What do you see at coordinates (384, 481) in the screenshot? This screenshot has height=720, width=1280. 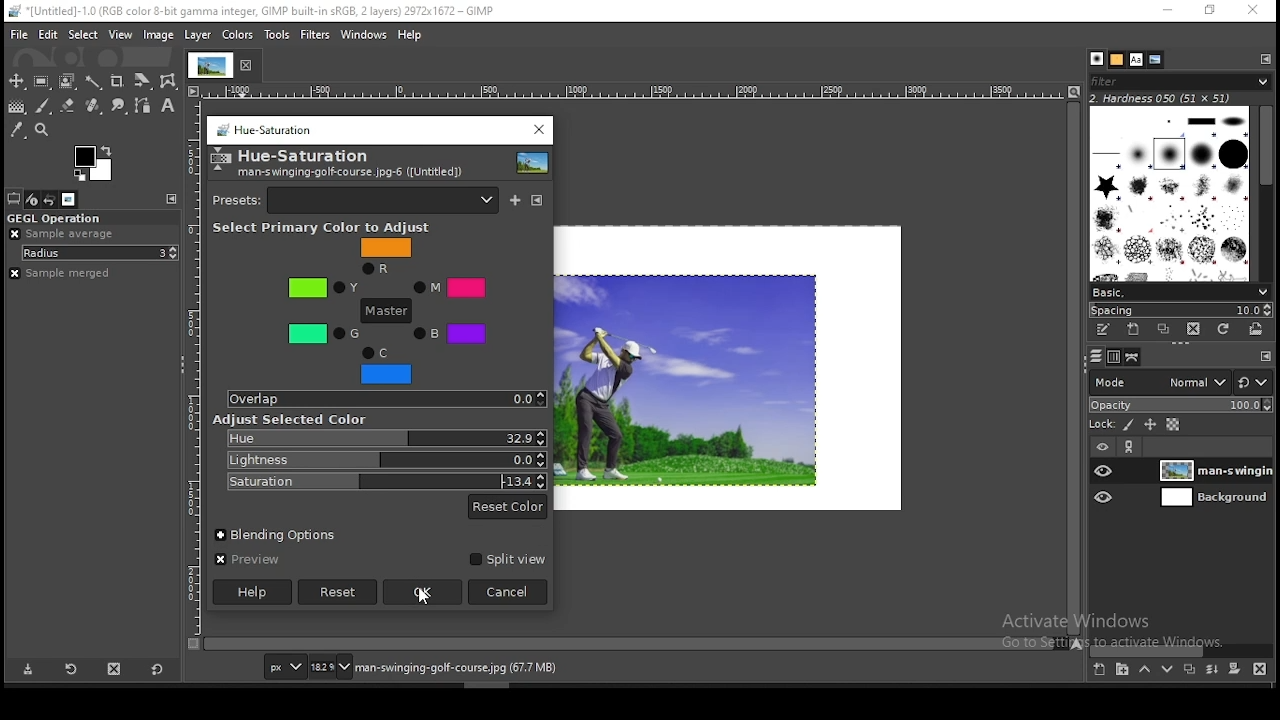 I see `saturation` at bounding box center [384, 481].